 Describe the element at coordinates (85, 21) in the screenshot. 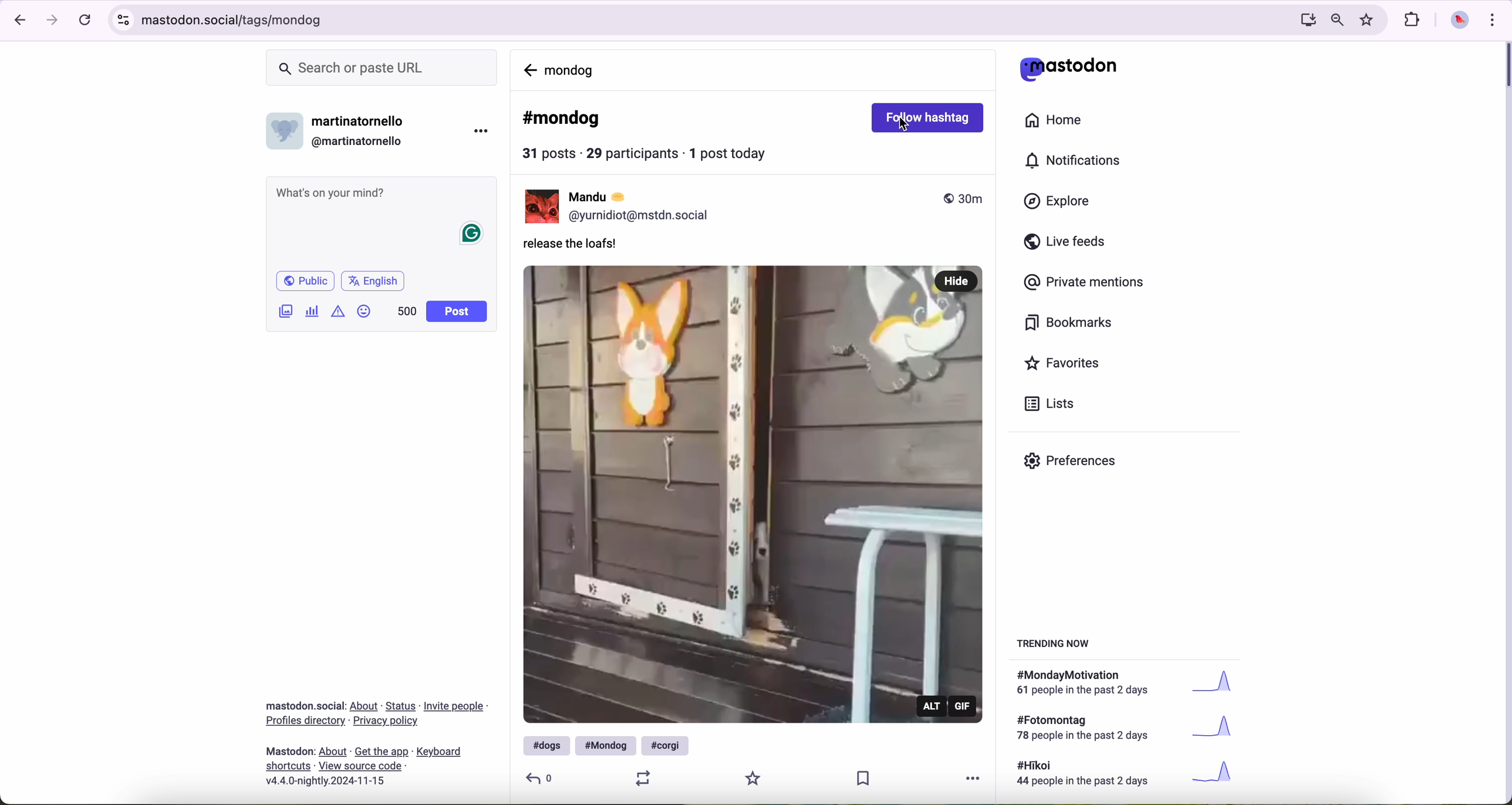

I see `refresh the page` at that location.